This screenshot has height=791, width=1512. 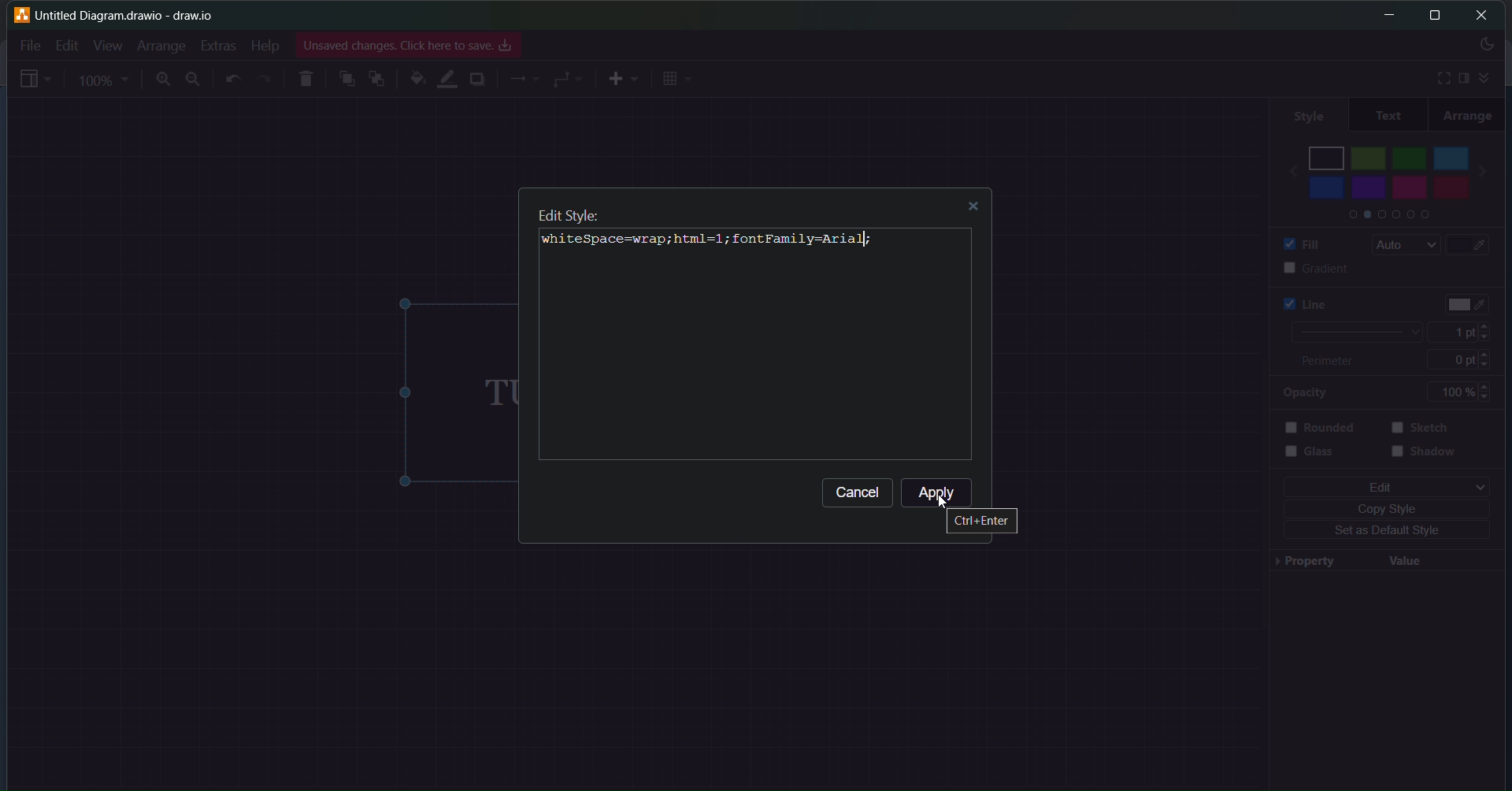 What do you see at coordinates (409, 46) in the screenshot?
I see `Unsaved changes. Click here to save. os` at bounding box center [409, 46].